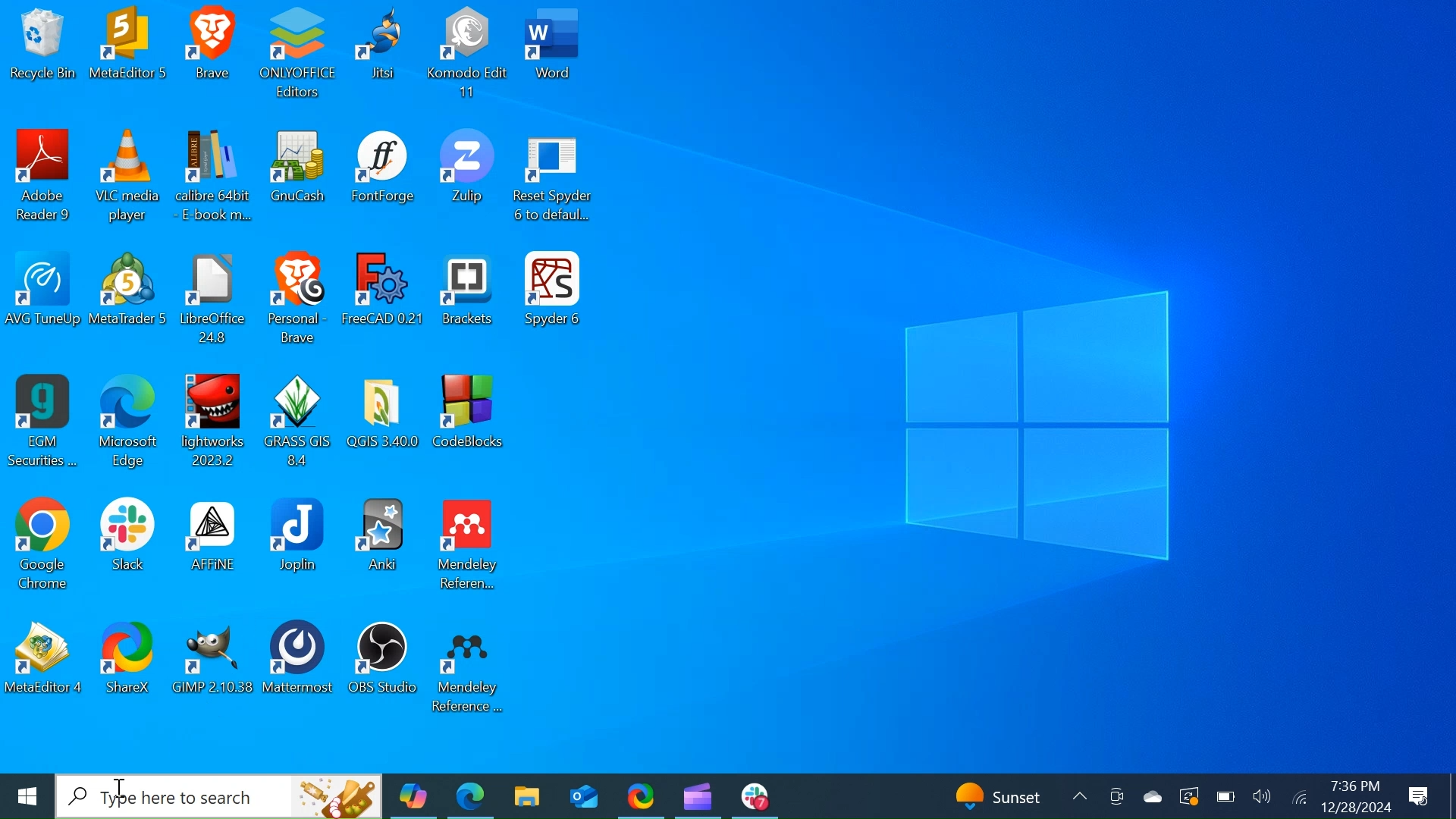 The width and height of the screenshot is (1456, 819). What do you see at coordinates (556, 300) in the screenshot?
I see `Spyder Desktop Icon` at bounding box center [556, 300].